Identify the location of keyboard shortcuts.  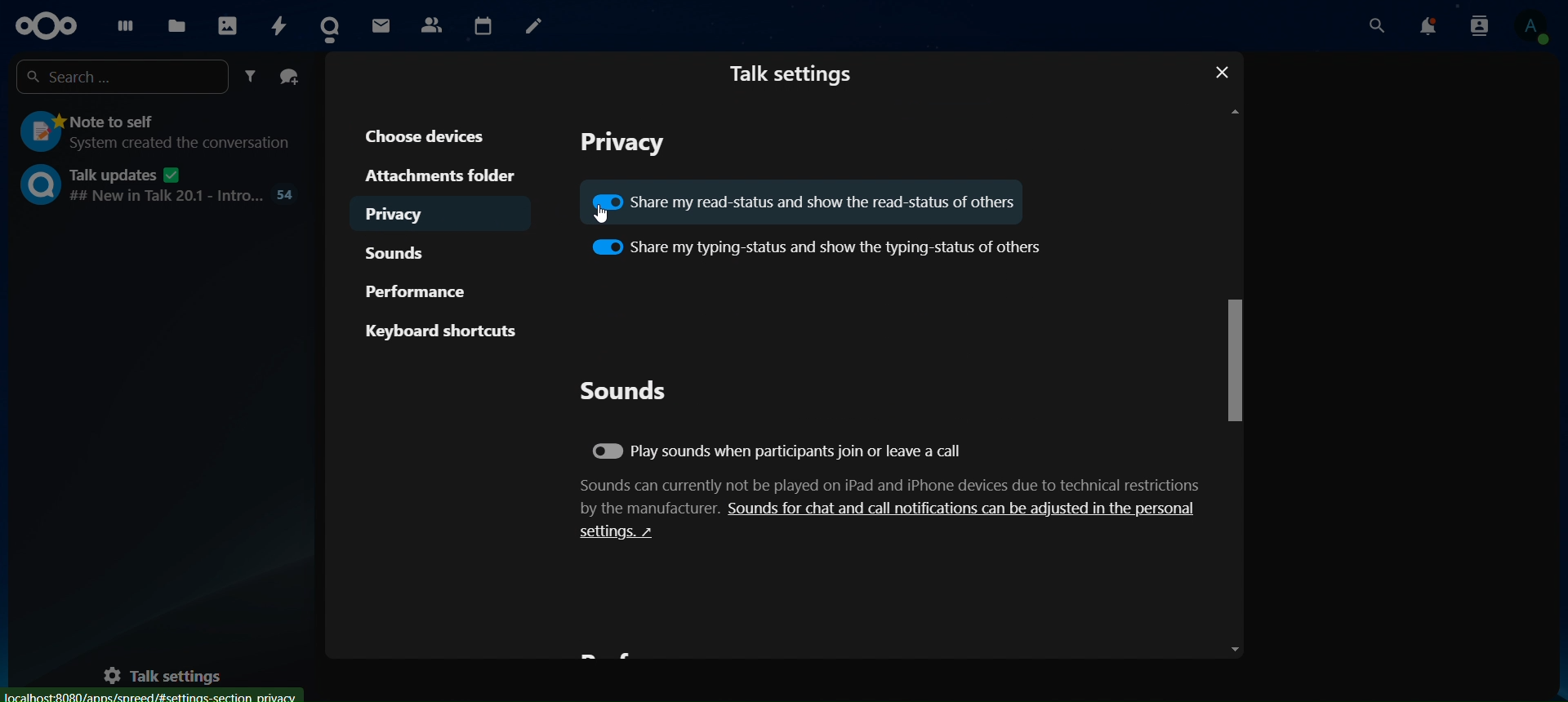
(442, 331).